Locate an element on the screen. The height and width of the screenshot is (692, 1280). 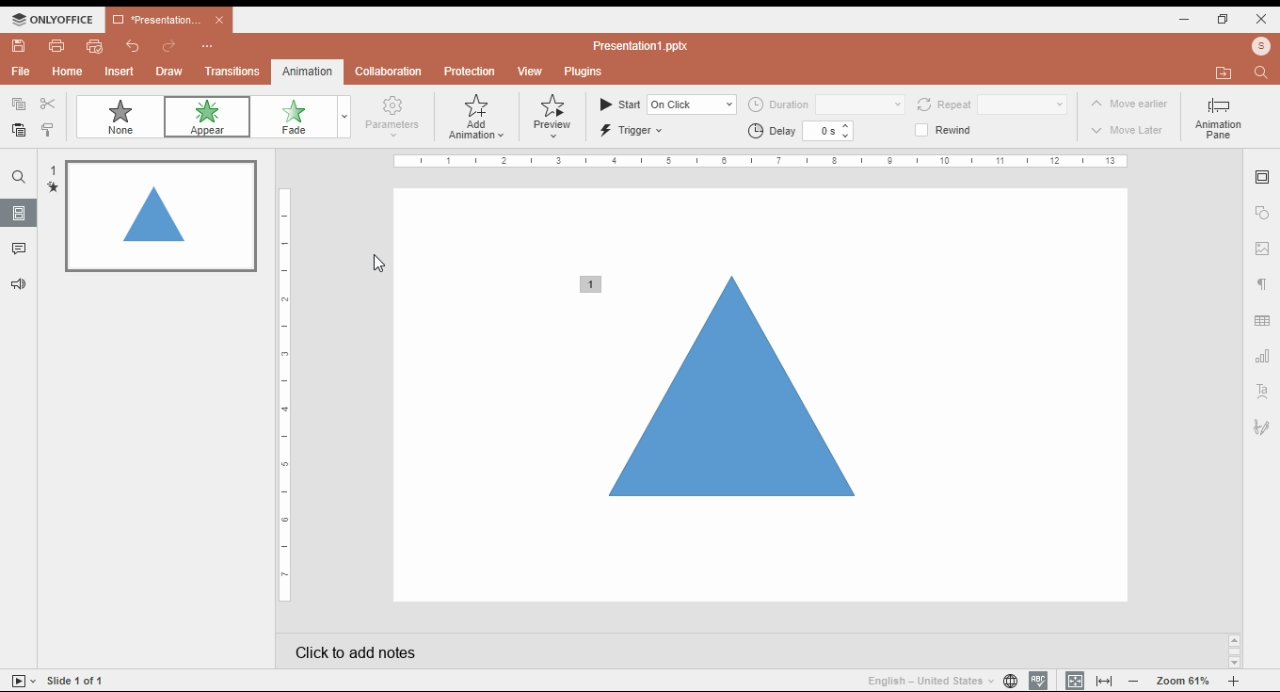
file is located at coordinates (21, 71).